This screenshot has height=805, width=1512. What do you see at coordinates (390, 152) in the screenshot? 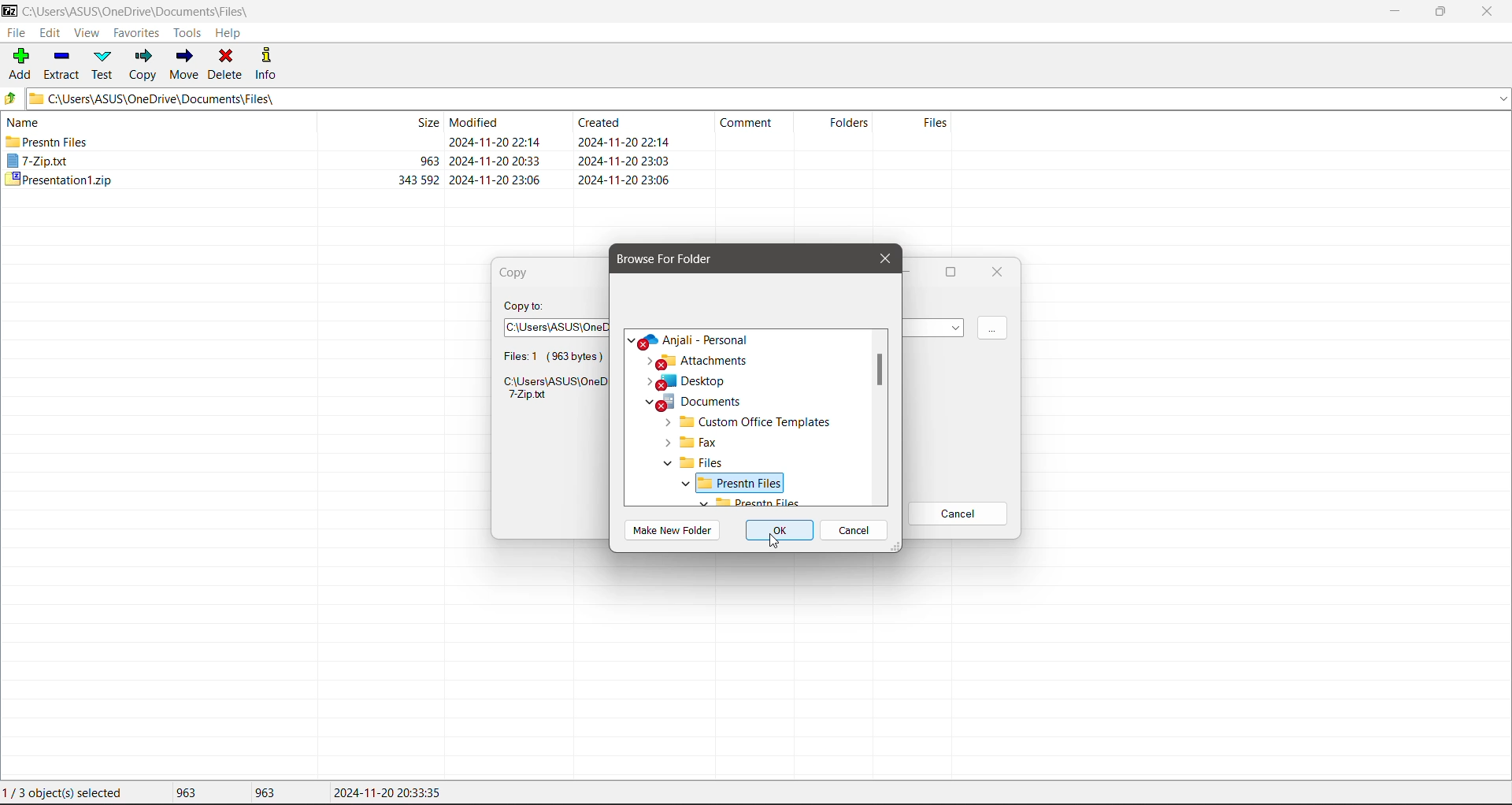
I see `File size` at bounding box center [390, 152].